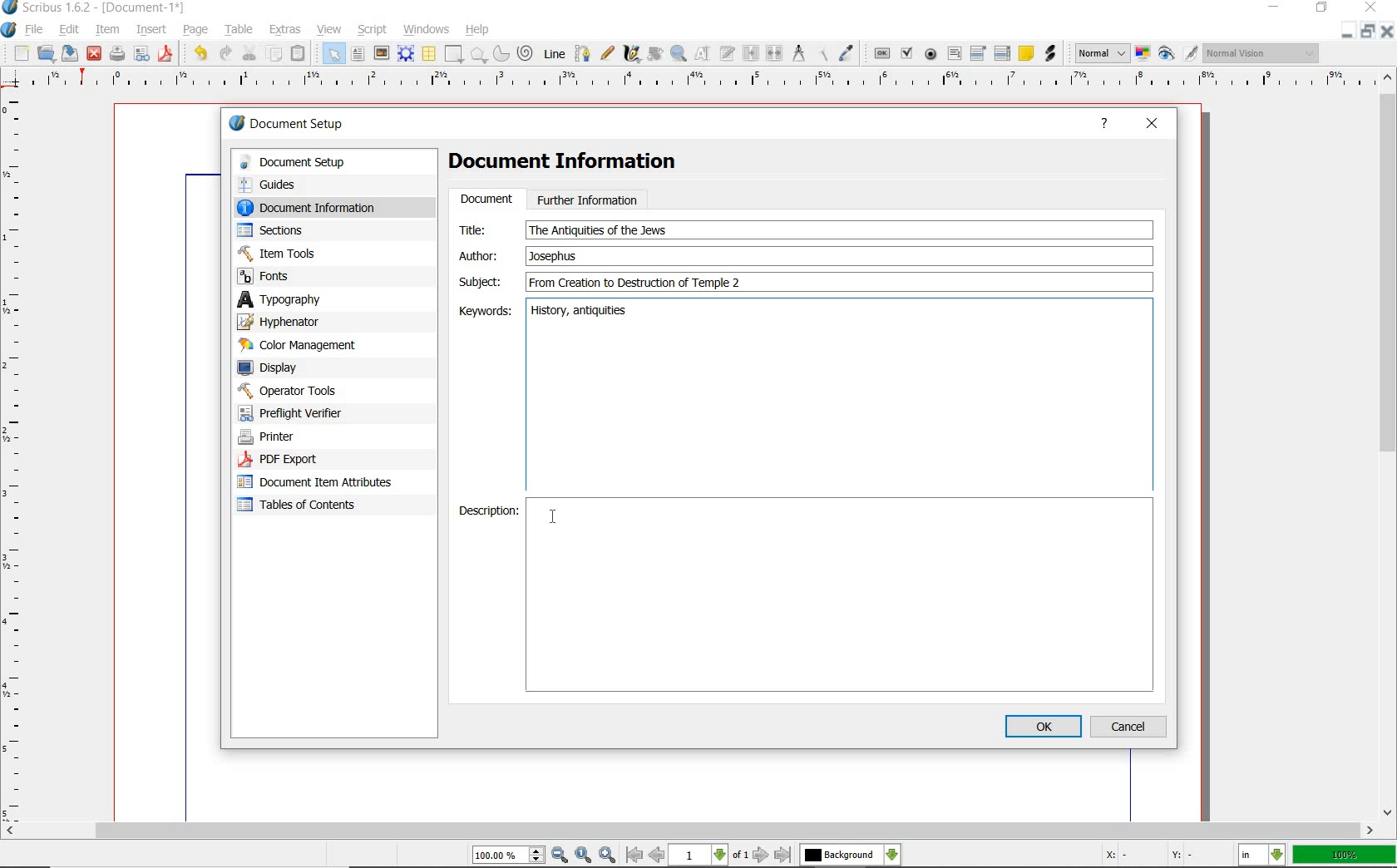 Image resolution: width=1397 pixels, height=868 pixels. I want to click on Line, so click(554, 54).